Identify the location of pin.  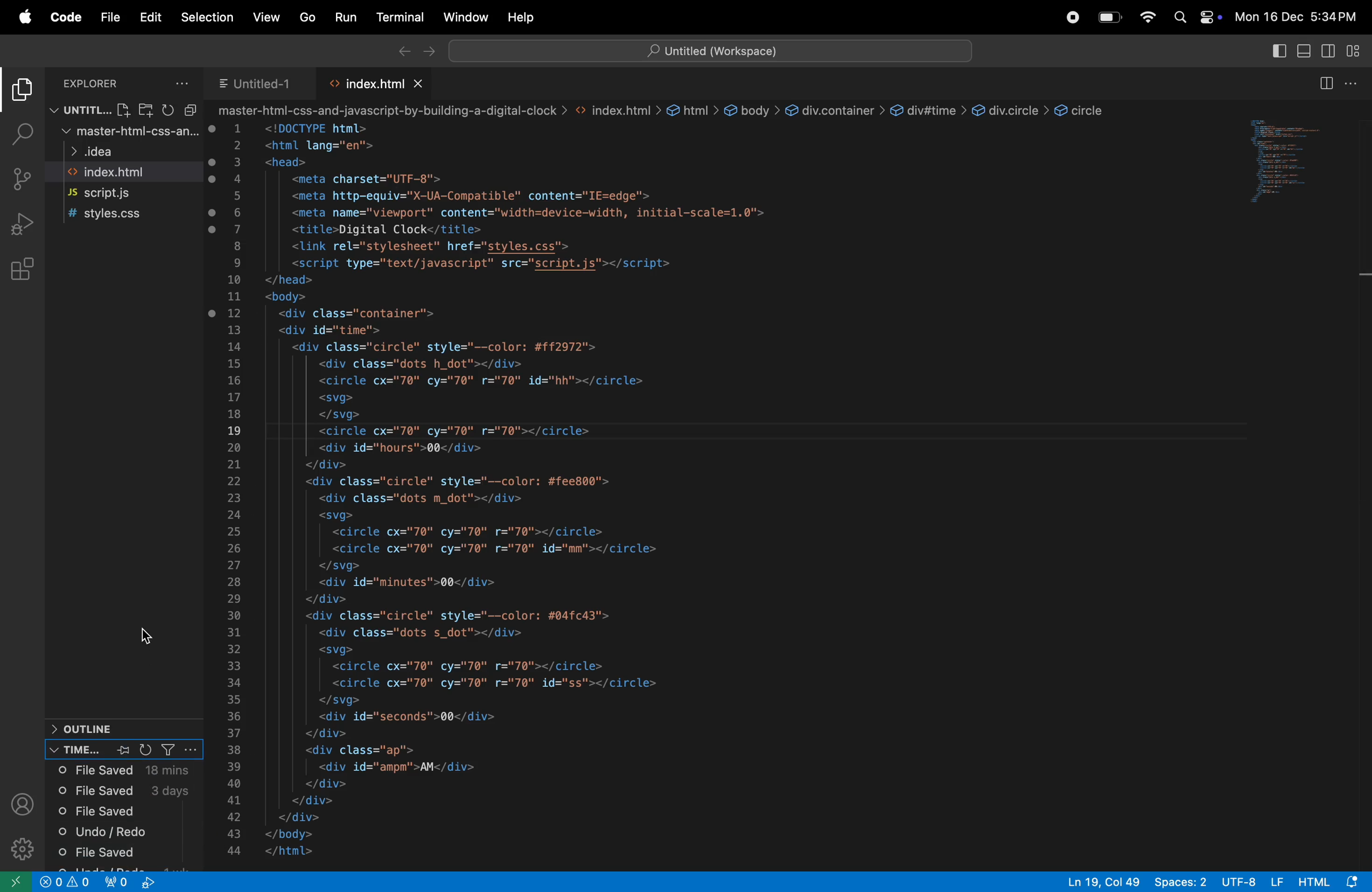
(120, 751).